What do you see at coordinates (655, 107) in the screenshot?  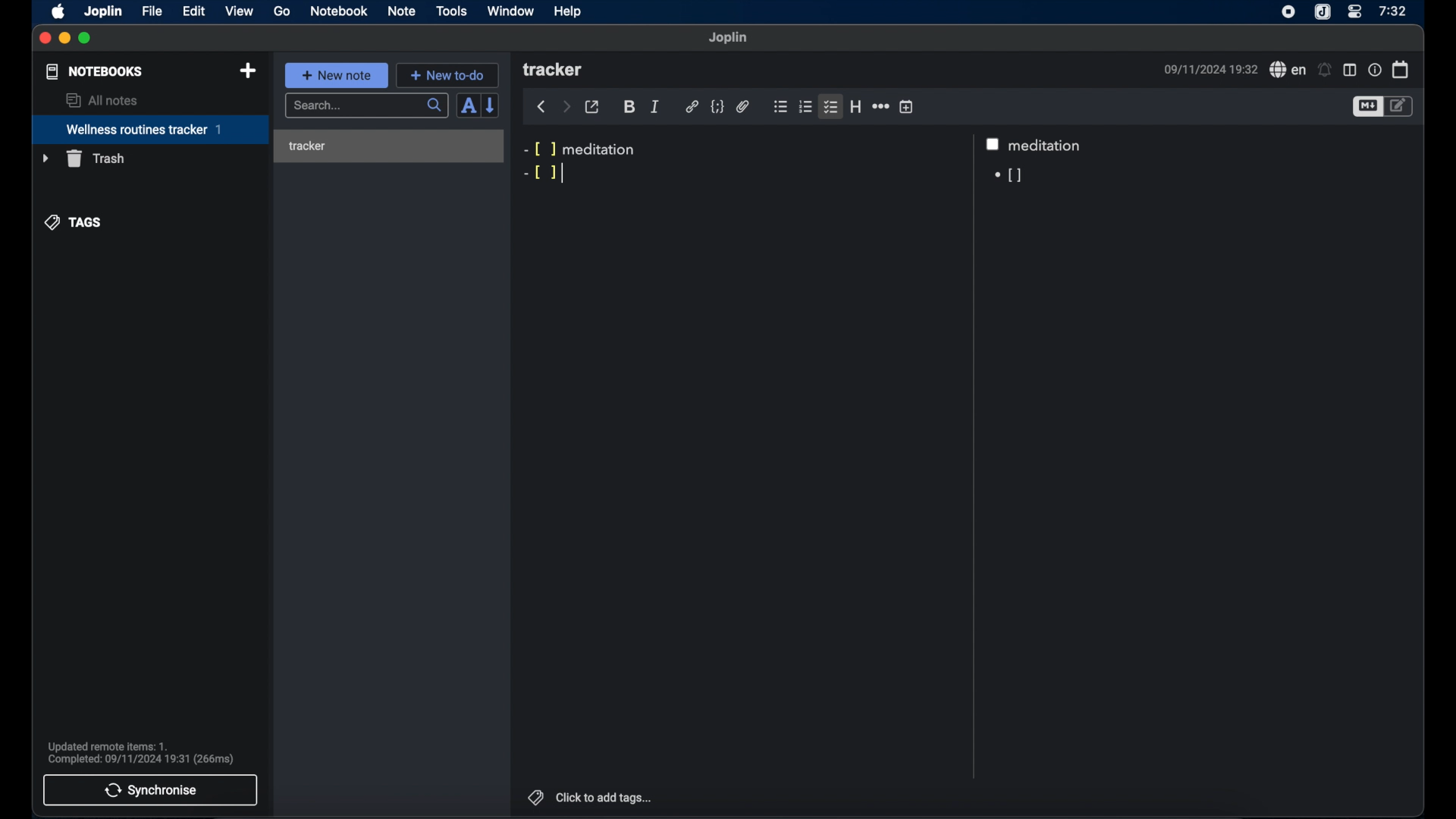 I see `italic` at bounding box center [655, 107].